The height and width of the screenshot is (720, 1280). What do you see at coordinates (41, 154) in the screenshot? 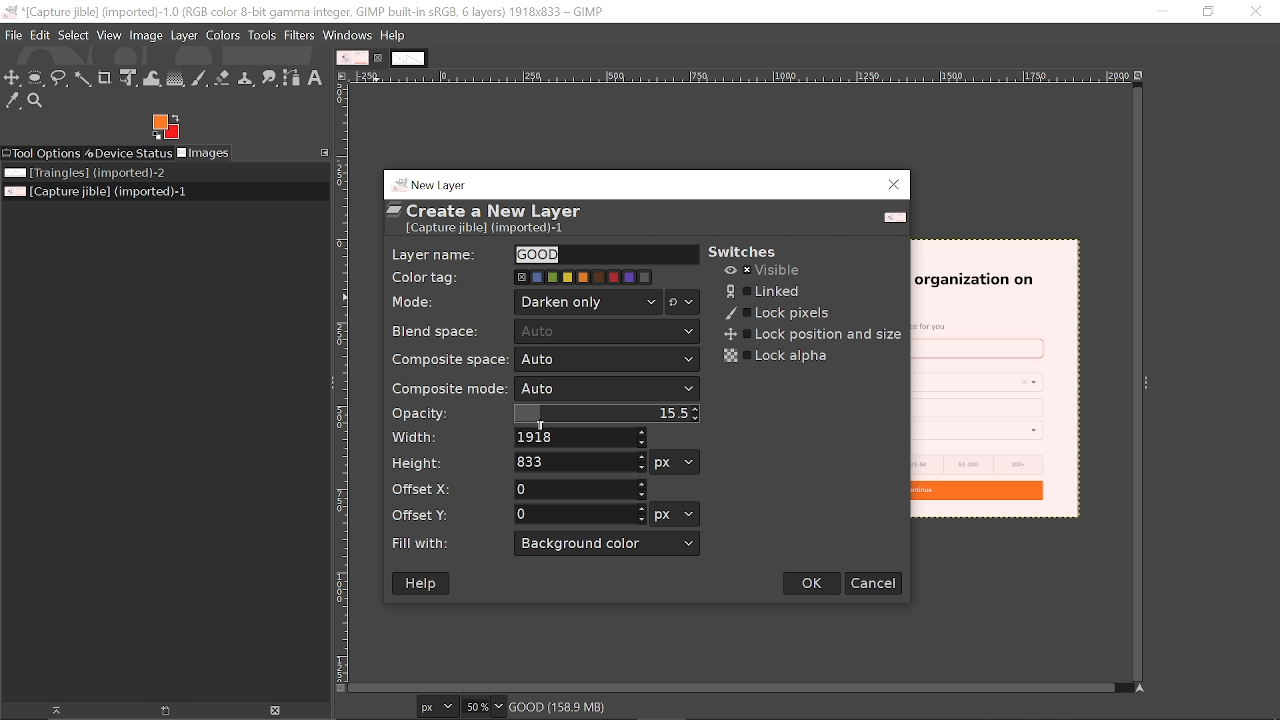
I see `Tool options` at bounding box center [41, 154].